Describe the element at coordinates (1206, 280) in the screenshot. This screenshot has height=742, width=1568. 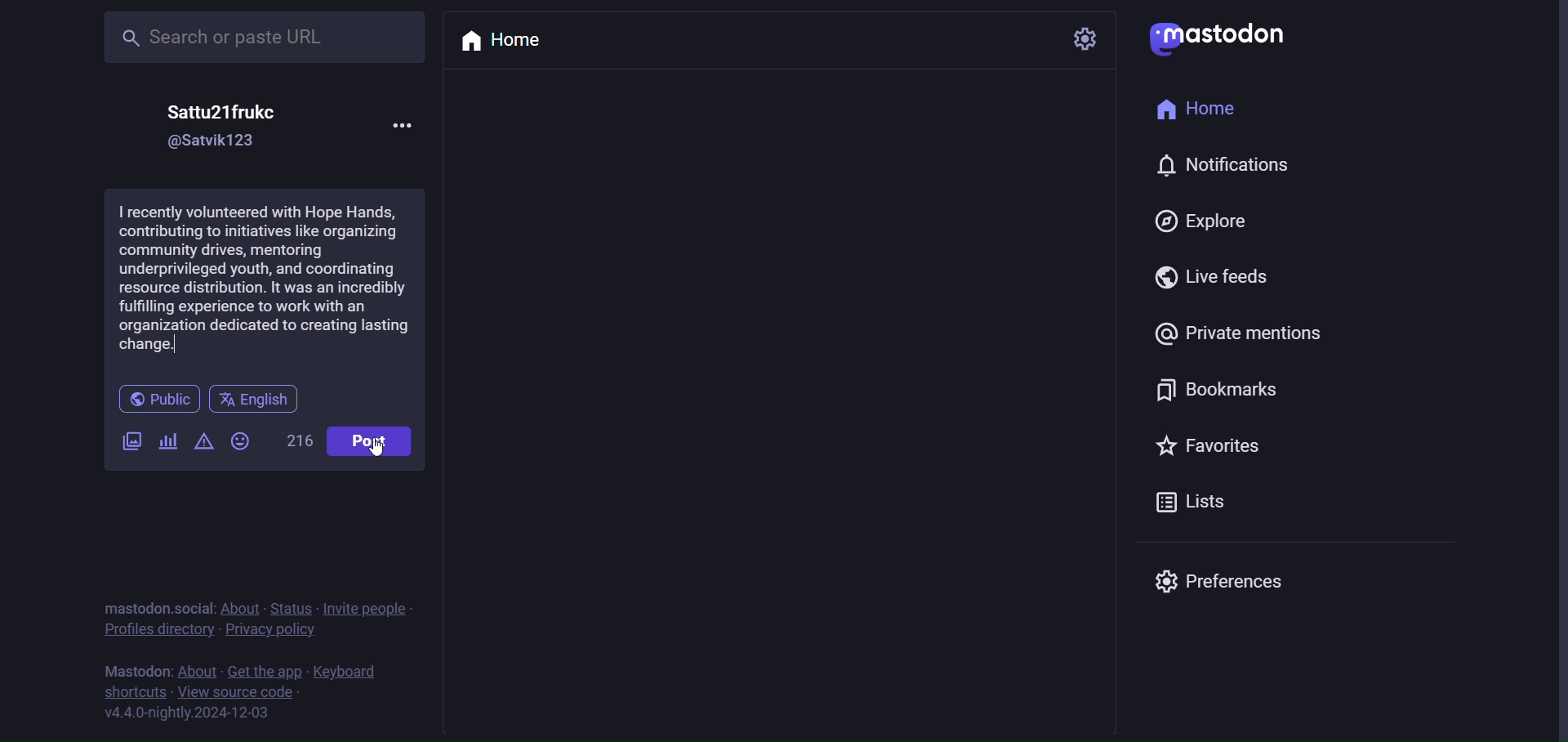
I see `live feeds` at that location.